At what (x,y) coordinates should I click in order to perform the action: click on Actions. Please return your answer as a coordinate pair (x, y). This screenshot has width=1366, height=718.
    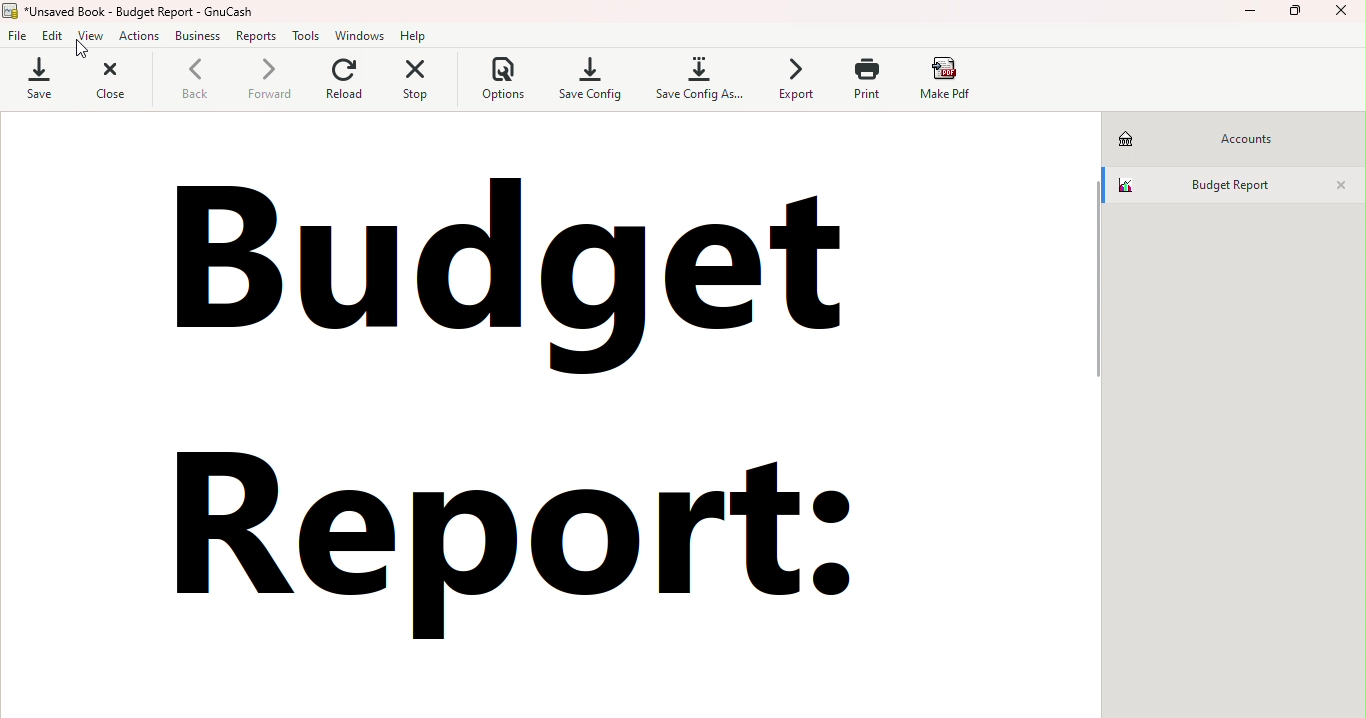
    Looking at the image, I should click on (138, 38).